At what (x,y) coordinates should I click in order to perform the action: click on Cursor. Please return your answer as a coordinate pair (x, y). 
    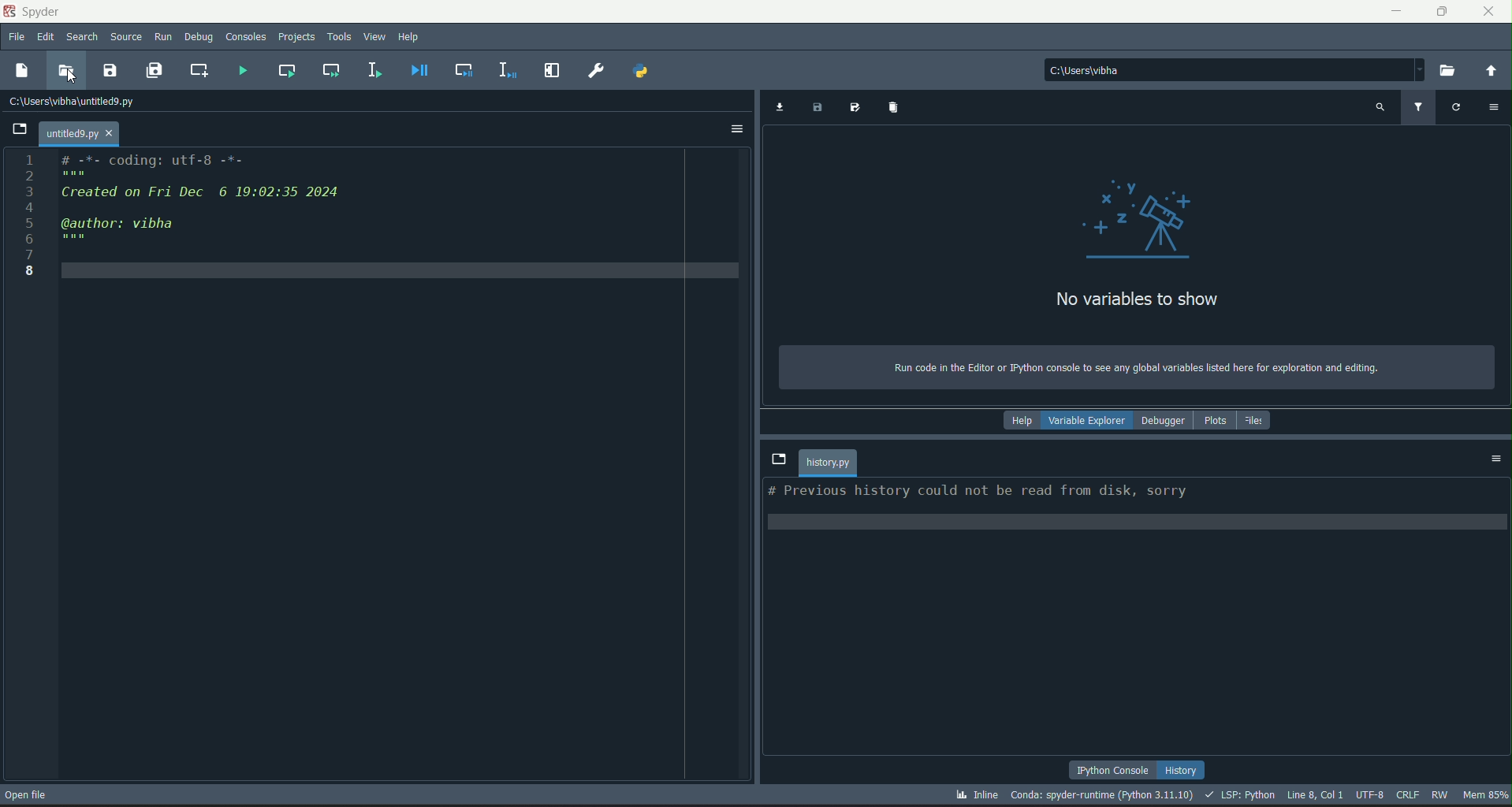
    Looking at the image, I should click on (70, 76).